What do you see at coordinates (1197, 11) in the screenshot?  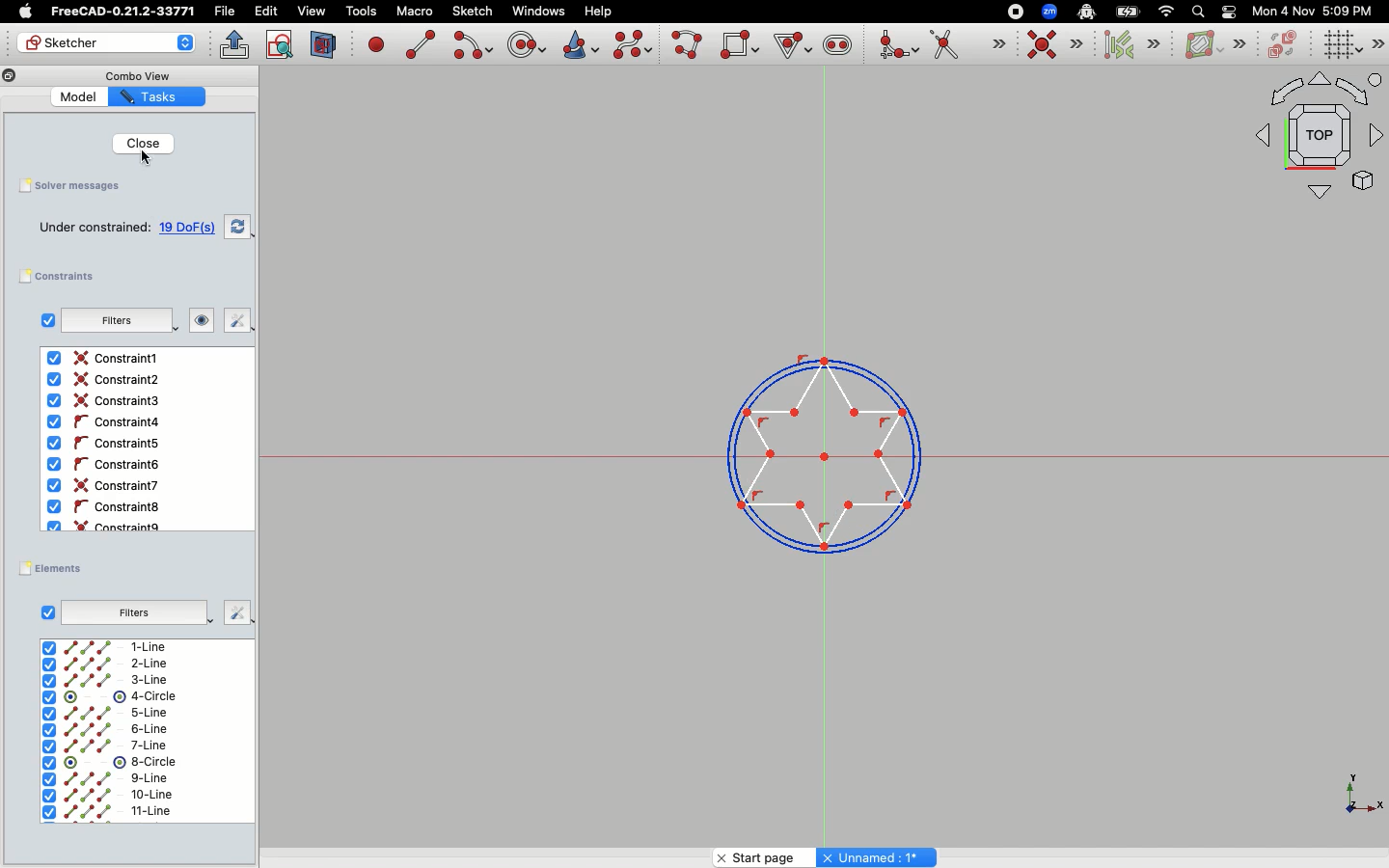 I see `Search` at bounding box center [1197, 11].